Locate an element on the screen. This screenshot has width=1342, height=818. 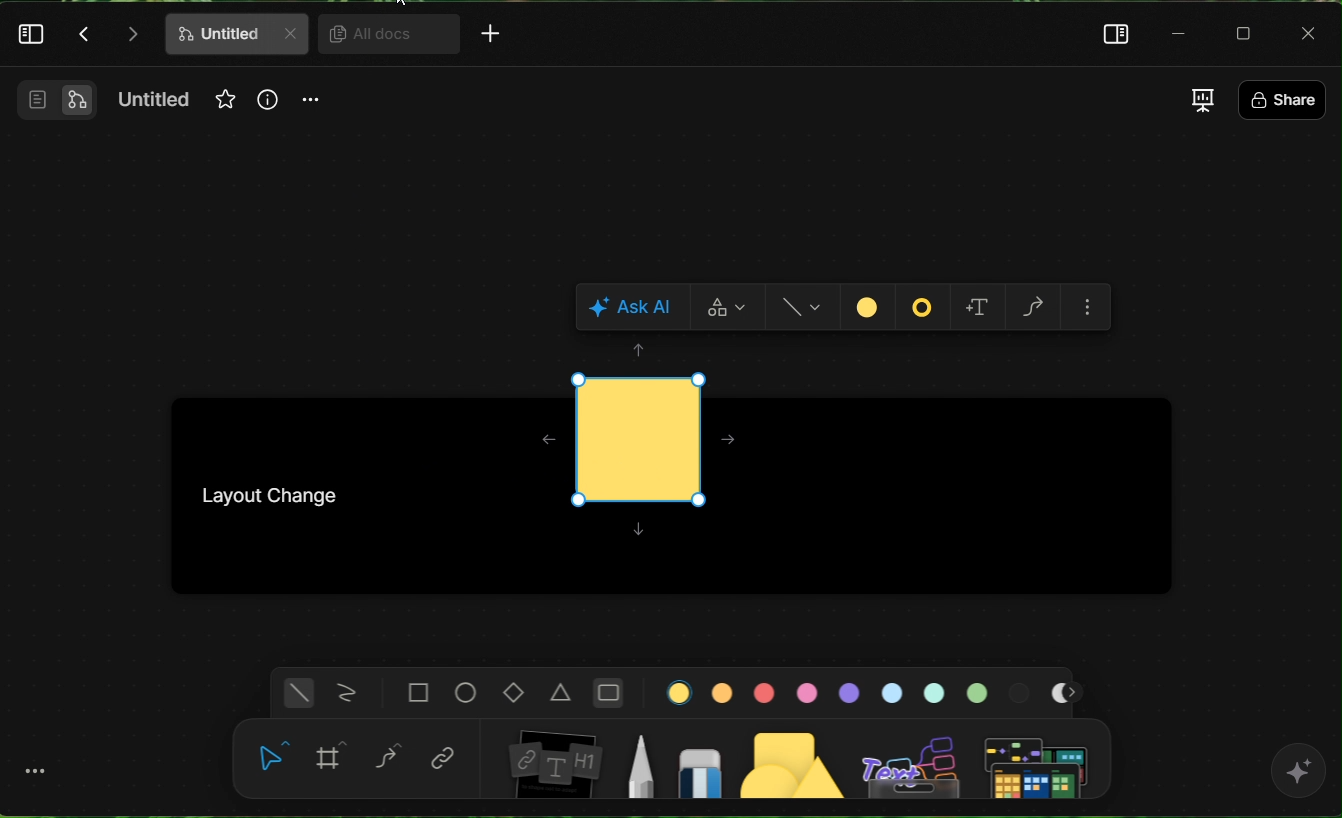
color is located at coordinates (861, 690).